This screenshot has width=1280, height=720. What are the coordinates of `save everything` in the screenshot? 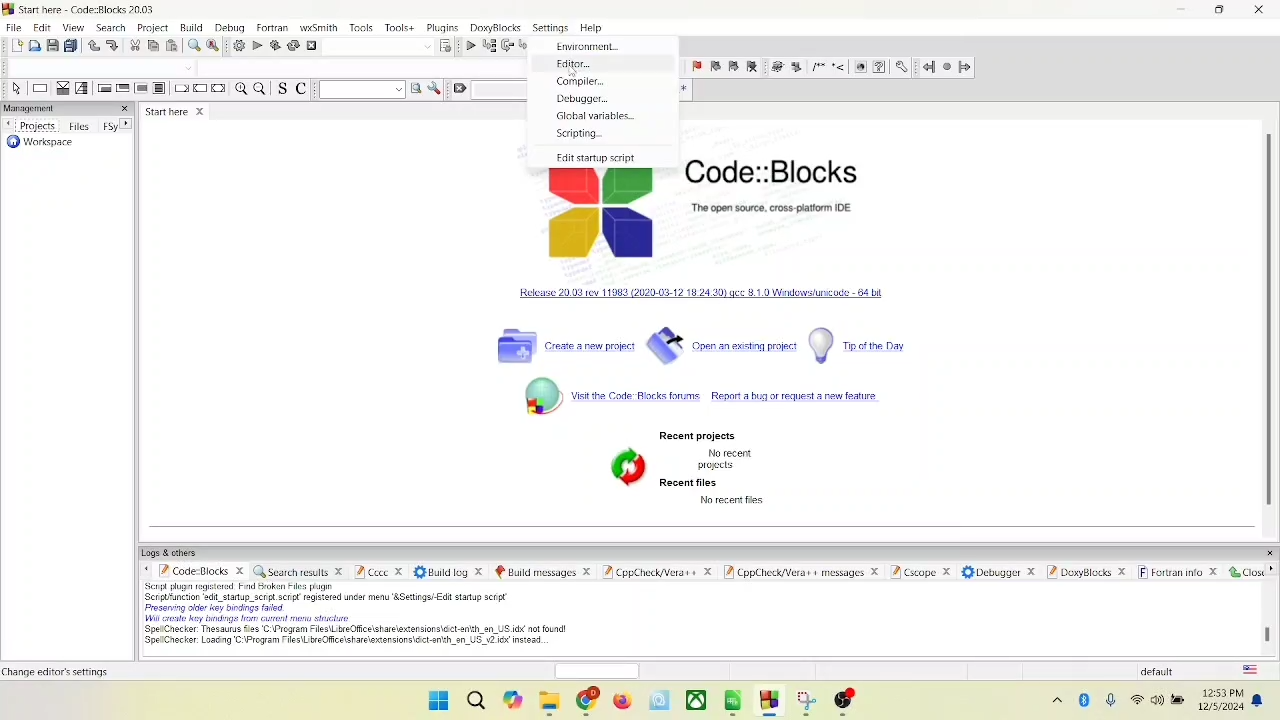 It's located at (72, 45).